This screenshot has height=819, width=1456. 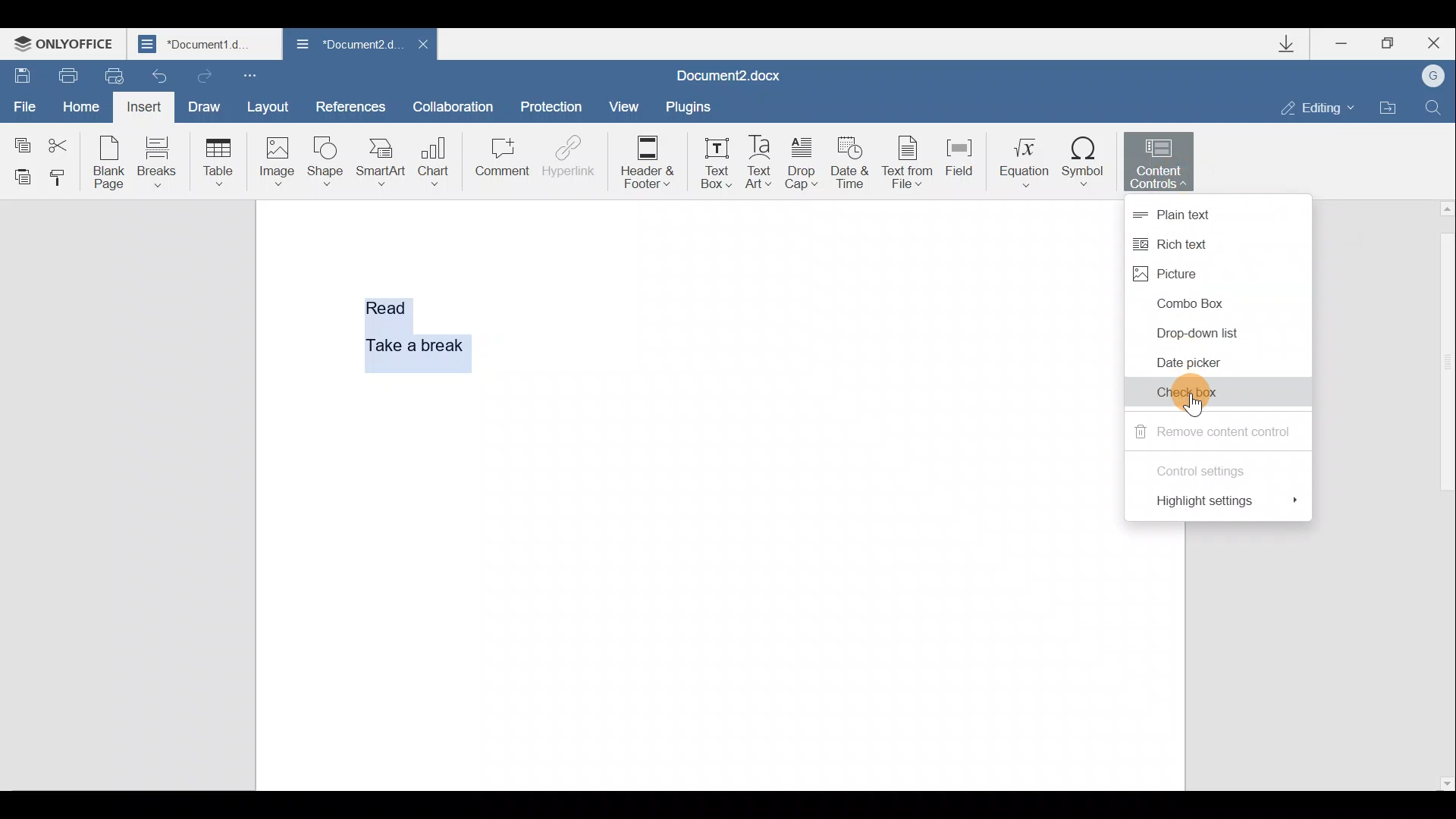 What do you see at coordinates (158, 161) in the screenshot?
I see `Breaks` at bounding box center [158, 161].